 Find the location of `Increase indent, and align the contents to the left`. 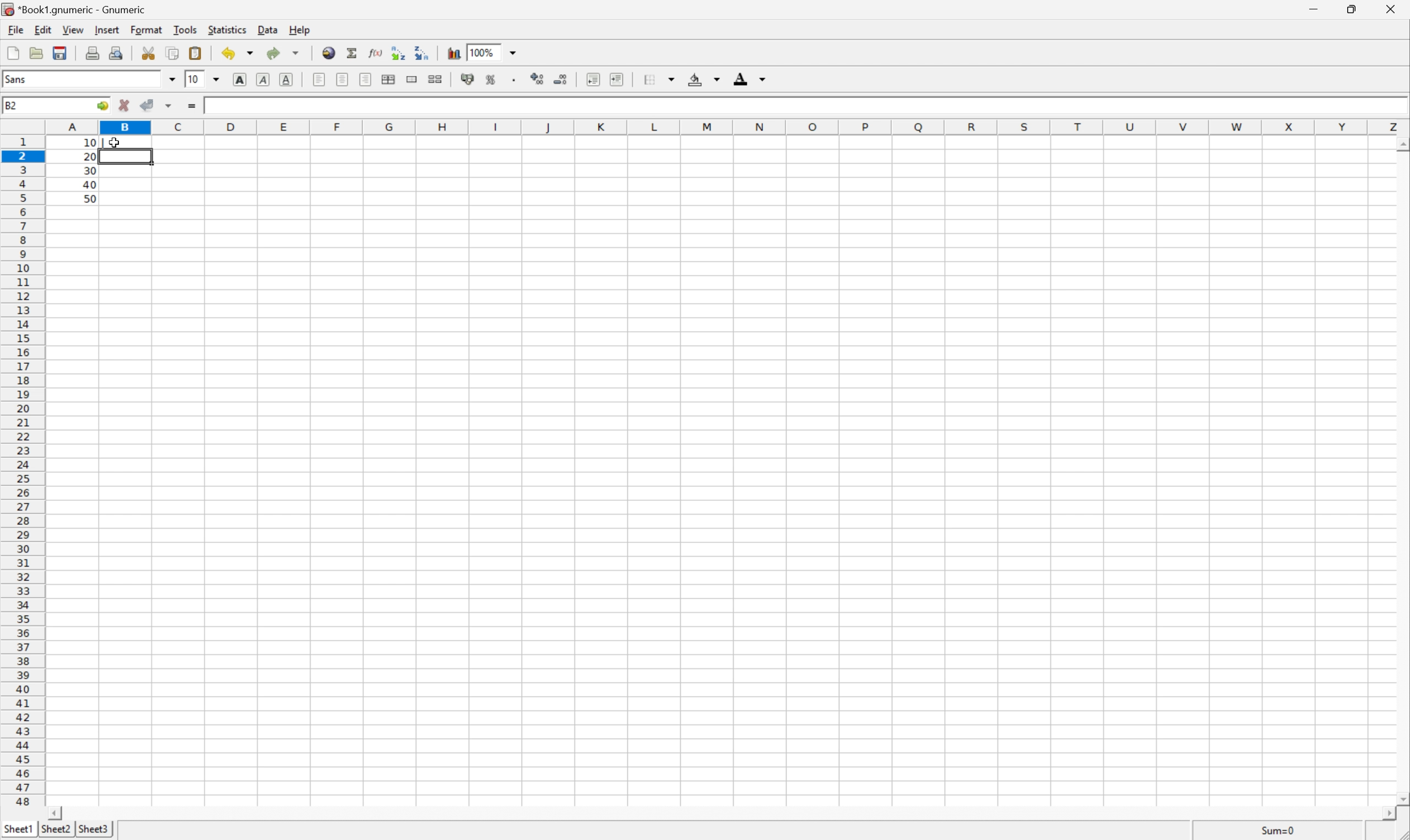

Increase indent, and align the contents to the left is located at coordinates (617, 79).